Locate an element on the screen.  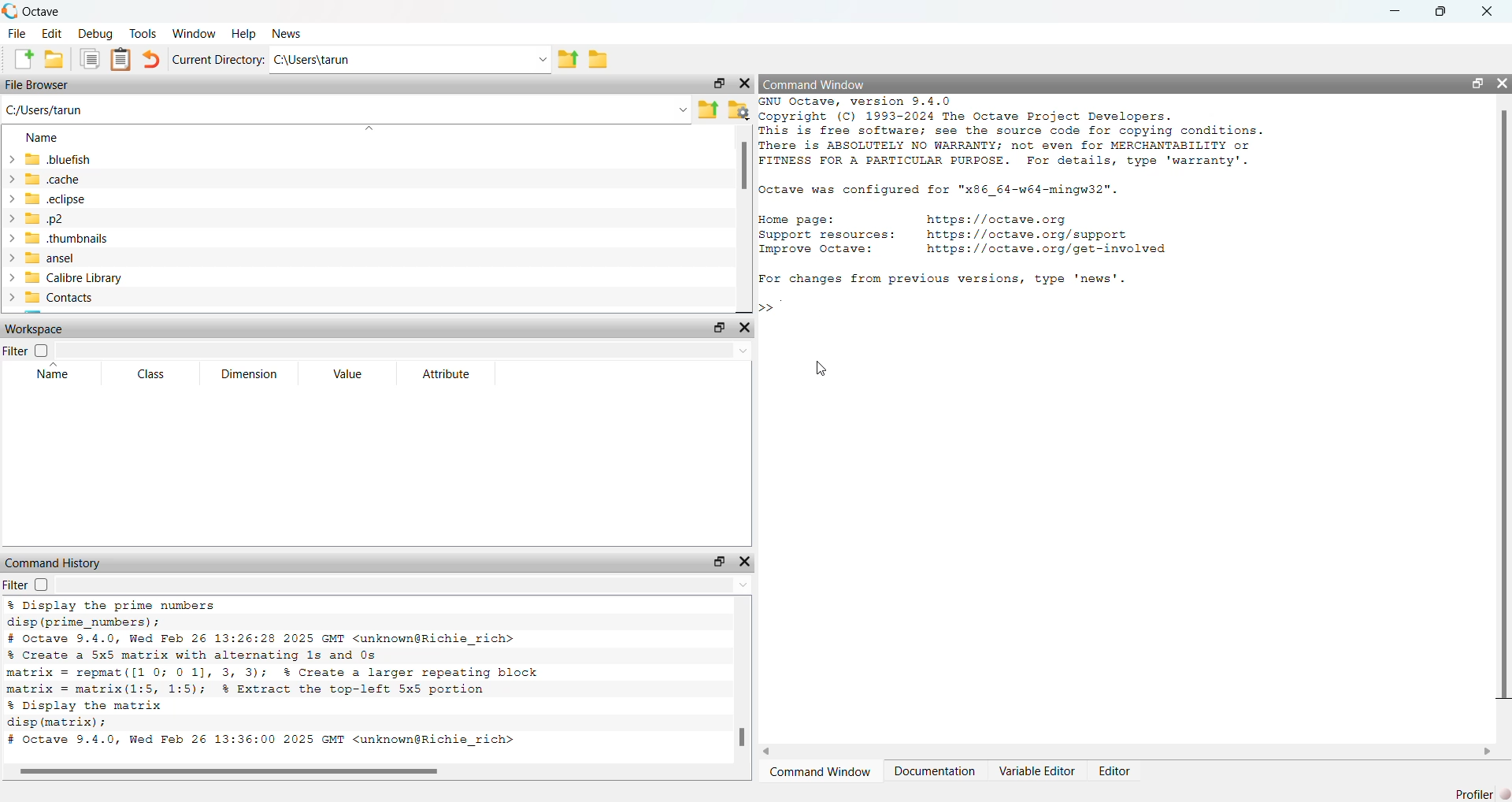
paste is located at coordinates (122, 60).